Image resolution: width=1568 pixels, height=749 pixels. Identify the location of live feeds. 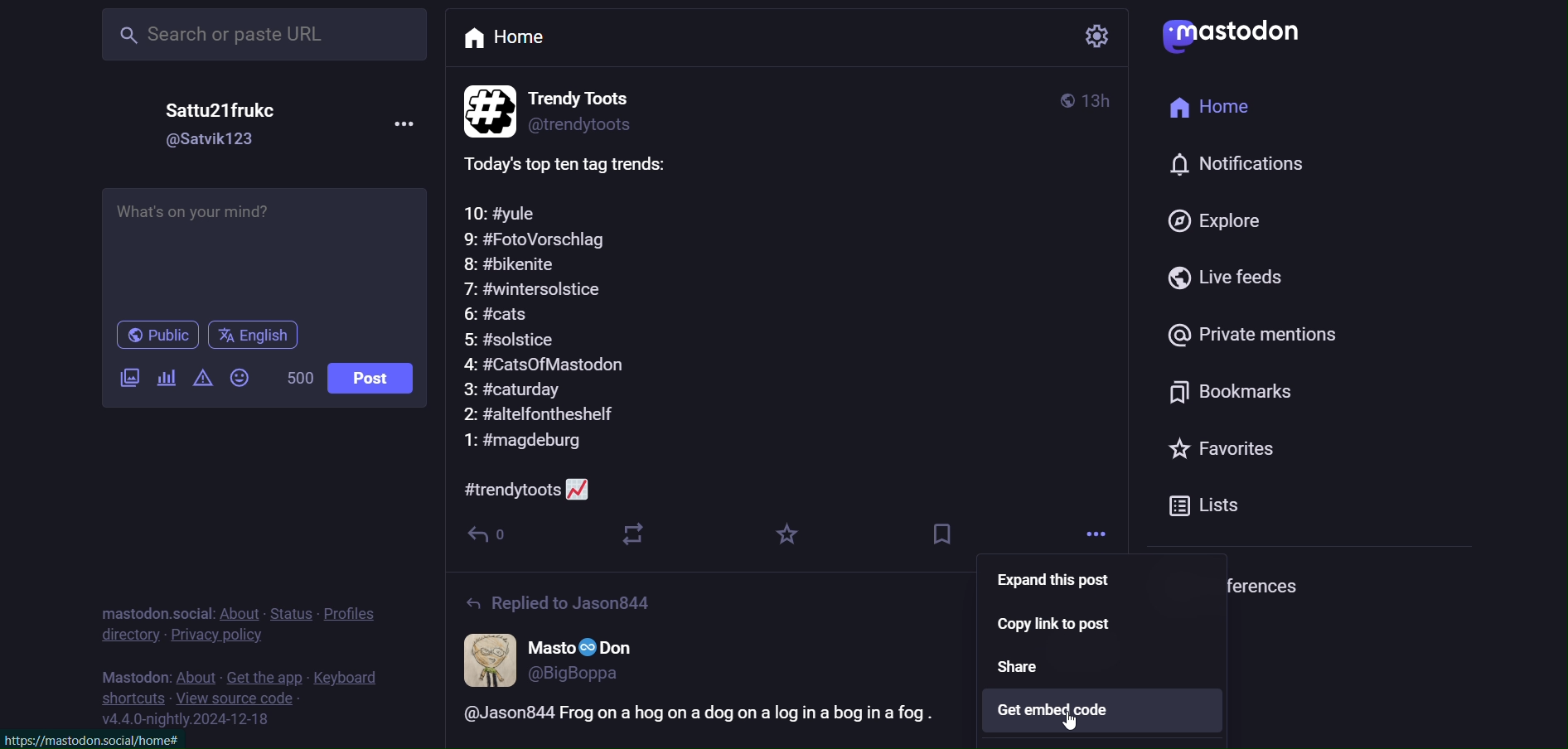
(1226, 280).